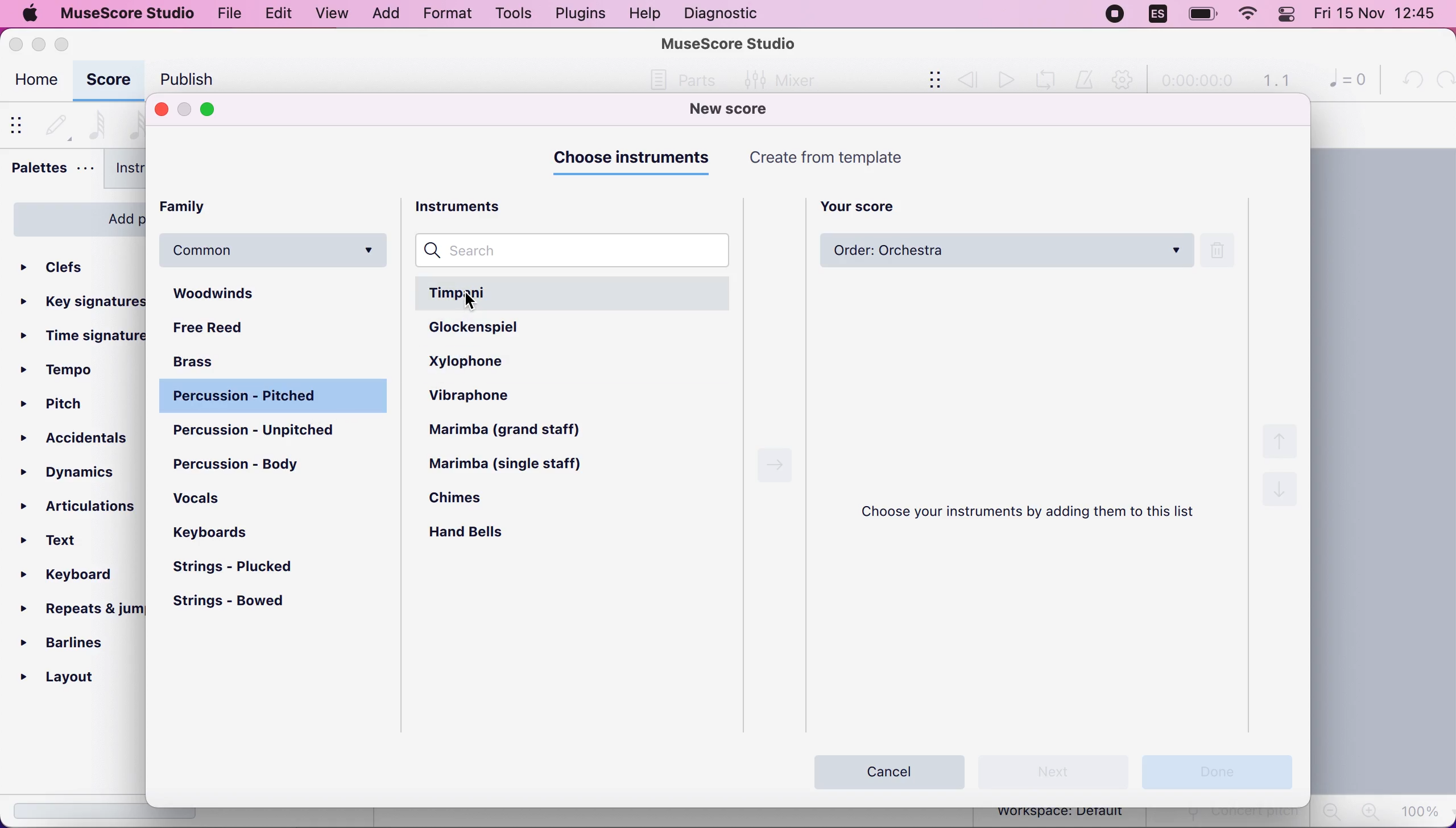 This screenshot has height=828, width=1456. I want to click on pitch, so click(59, 406).